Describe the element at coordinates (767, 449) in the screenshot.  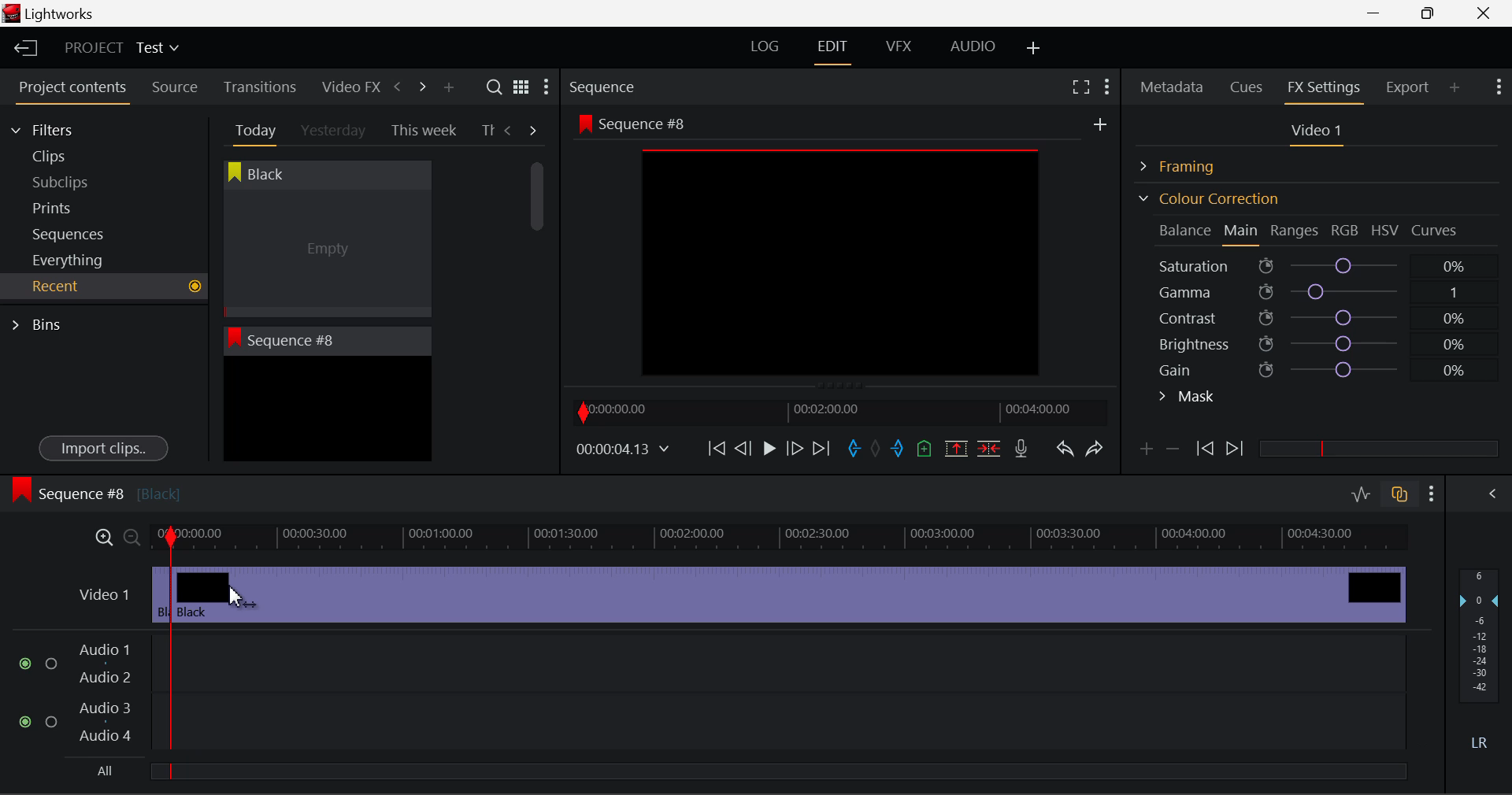
I see `Play` at that location.